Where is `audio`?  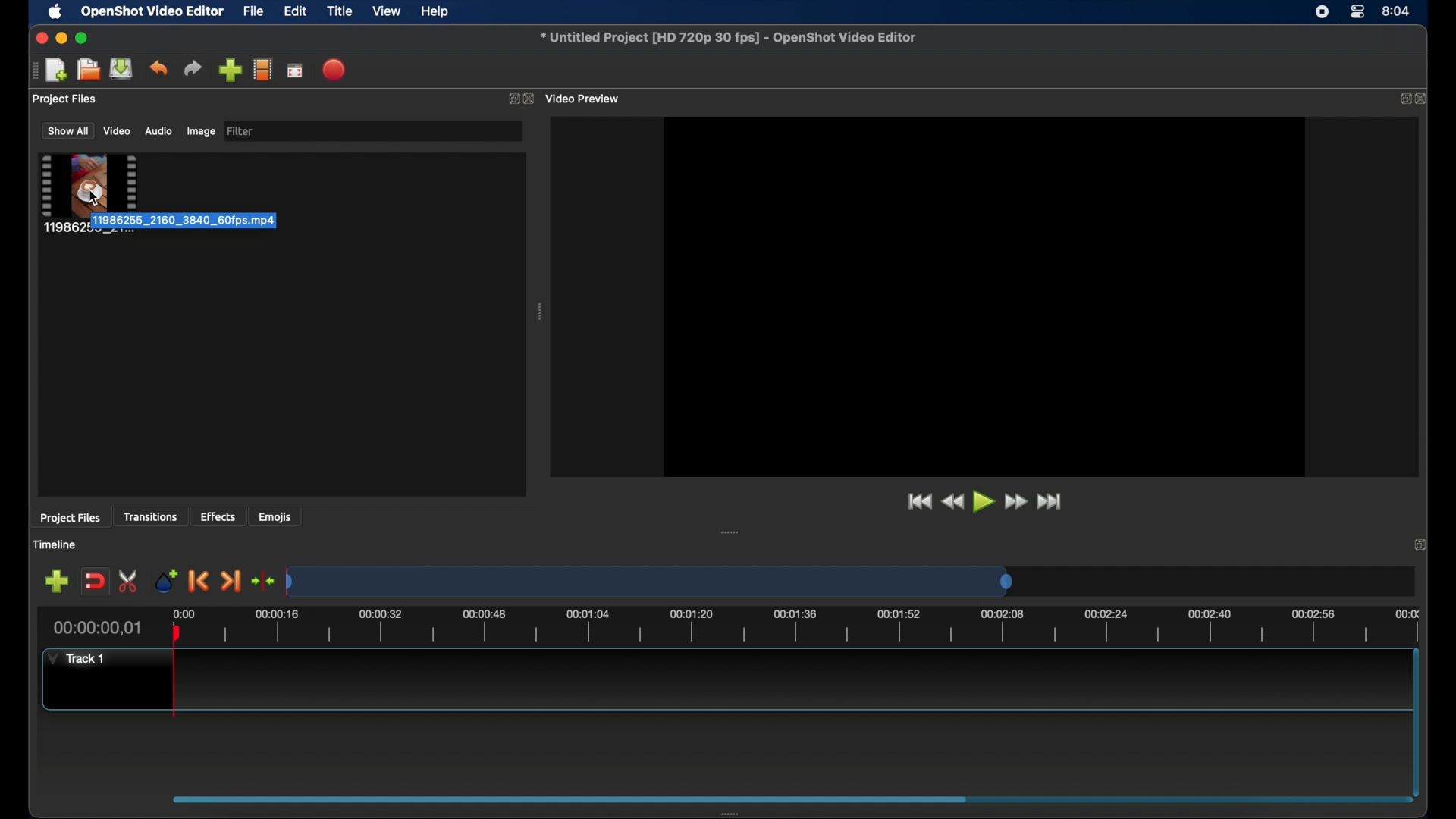
audio is located at coordinates (158, 130).